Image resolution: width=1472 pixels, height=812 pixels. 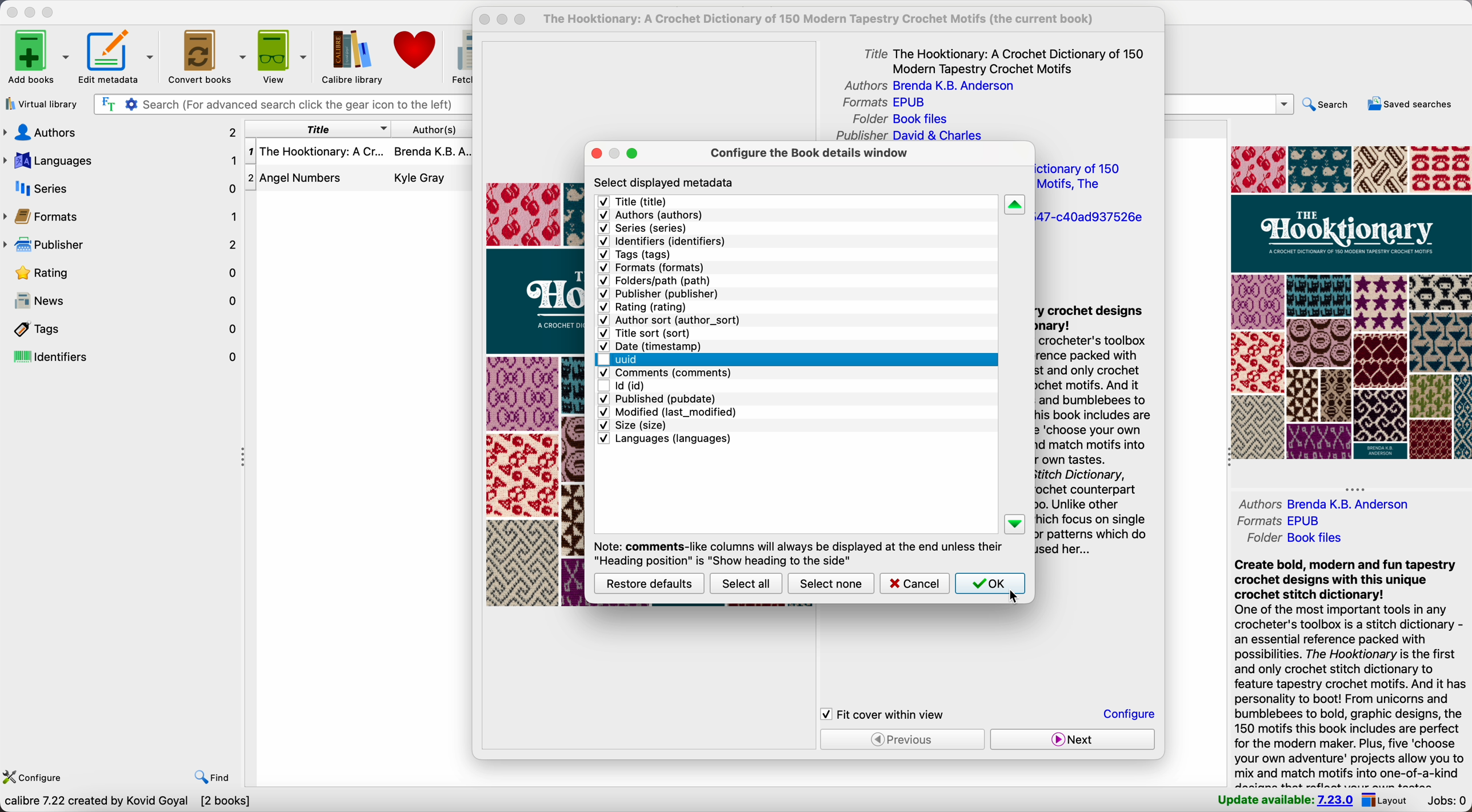 I want to click on languages, so click(x=665, y=439).